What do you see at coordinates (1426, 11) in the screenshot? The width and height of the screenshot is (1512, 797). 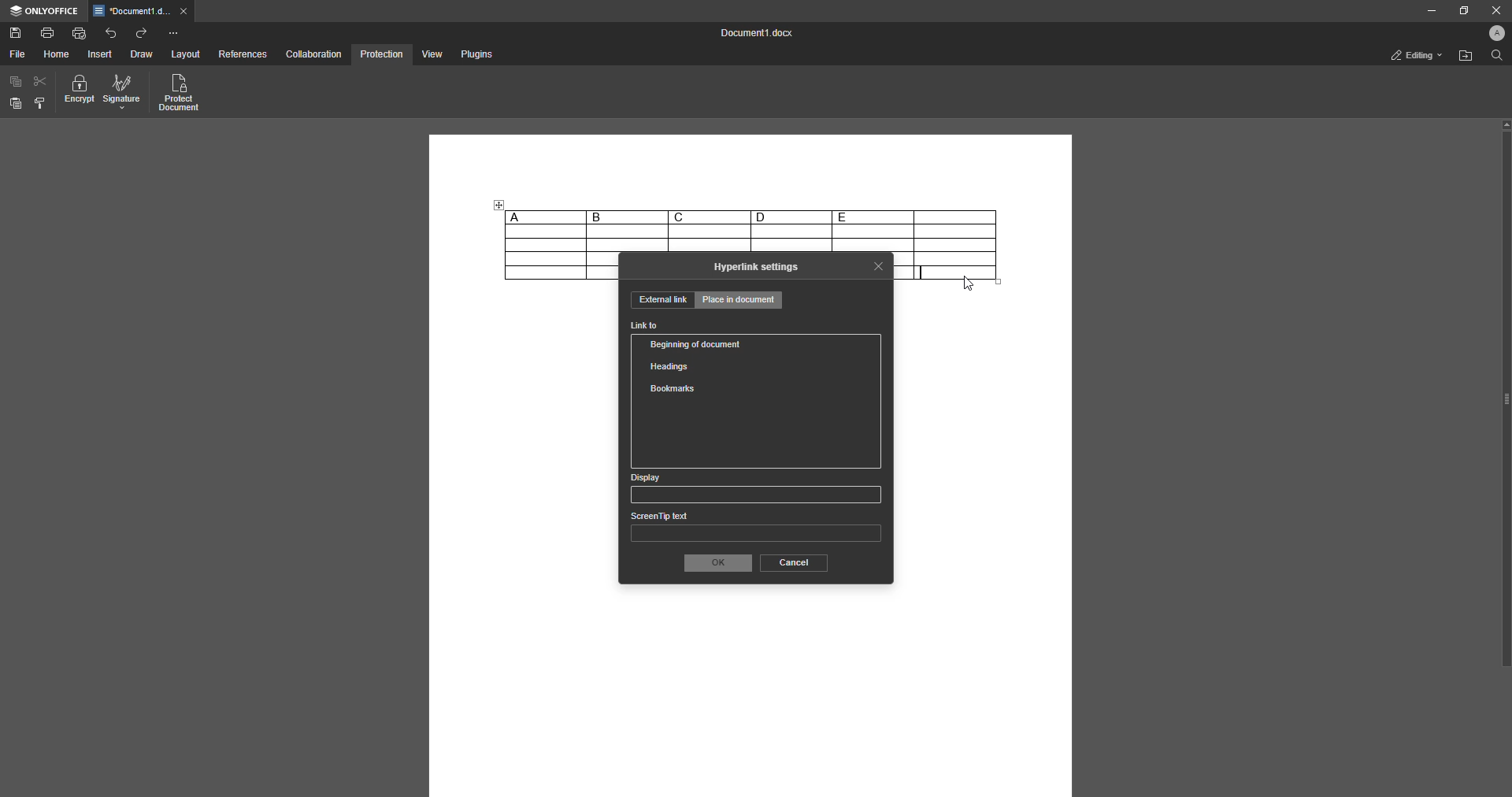 I see `Minimize` at bounding box center [1426, 11].